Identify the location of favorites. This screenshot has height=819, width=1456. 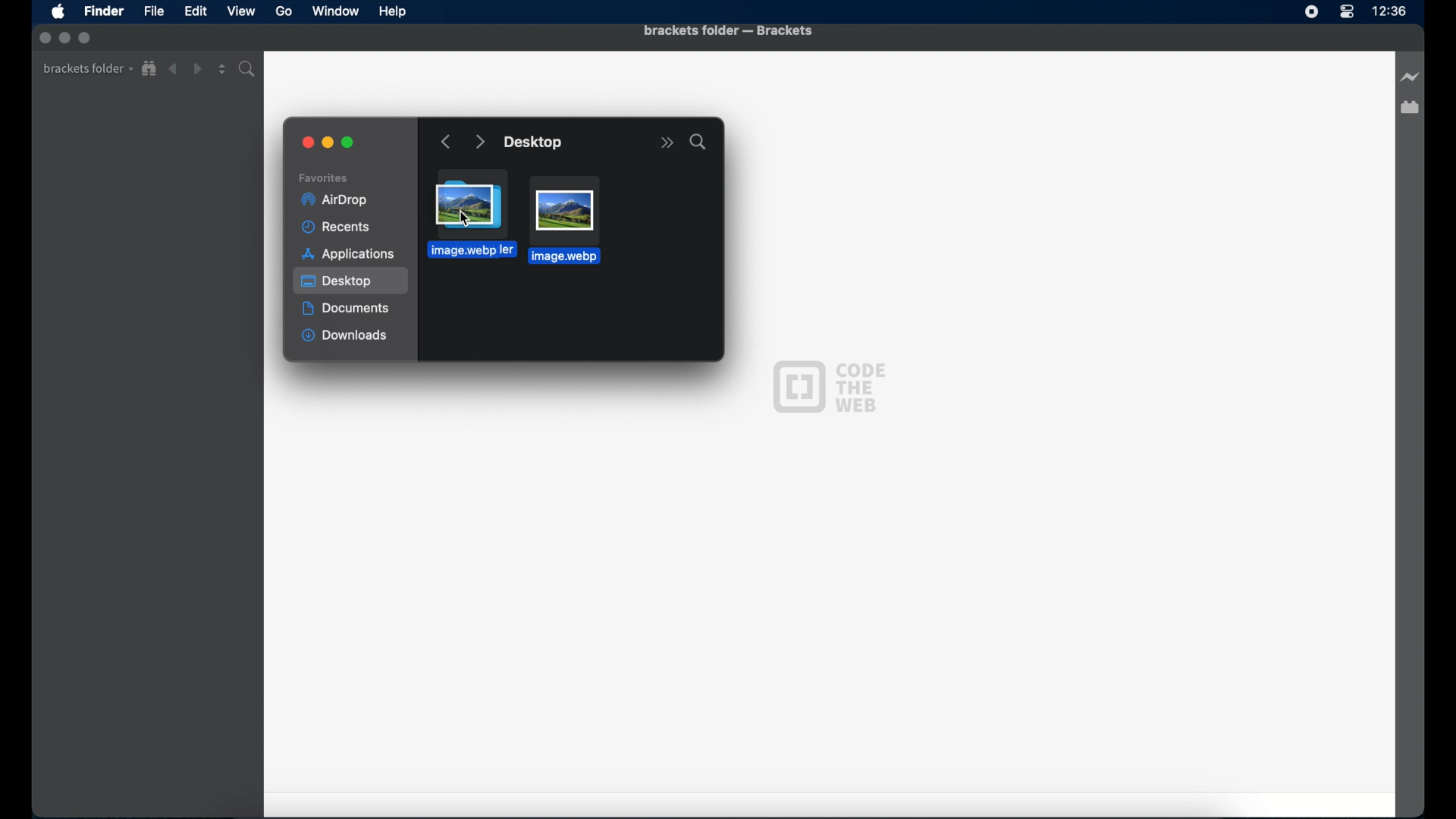
(324, 178).